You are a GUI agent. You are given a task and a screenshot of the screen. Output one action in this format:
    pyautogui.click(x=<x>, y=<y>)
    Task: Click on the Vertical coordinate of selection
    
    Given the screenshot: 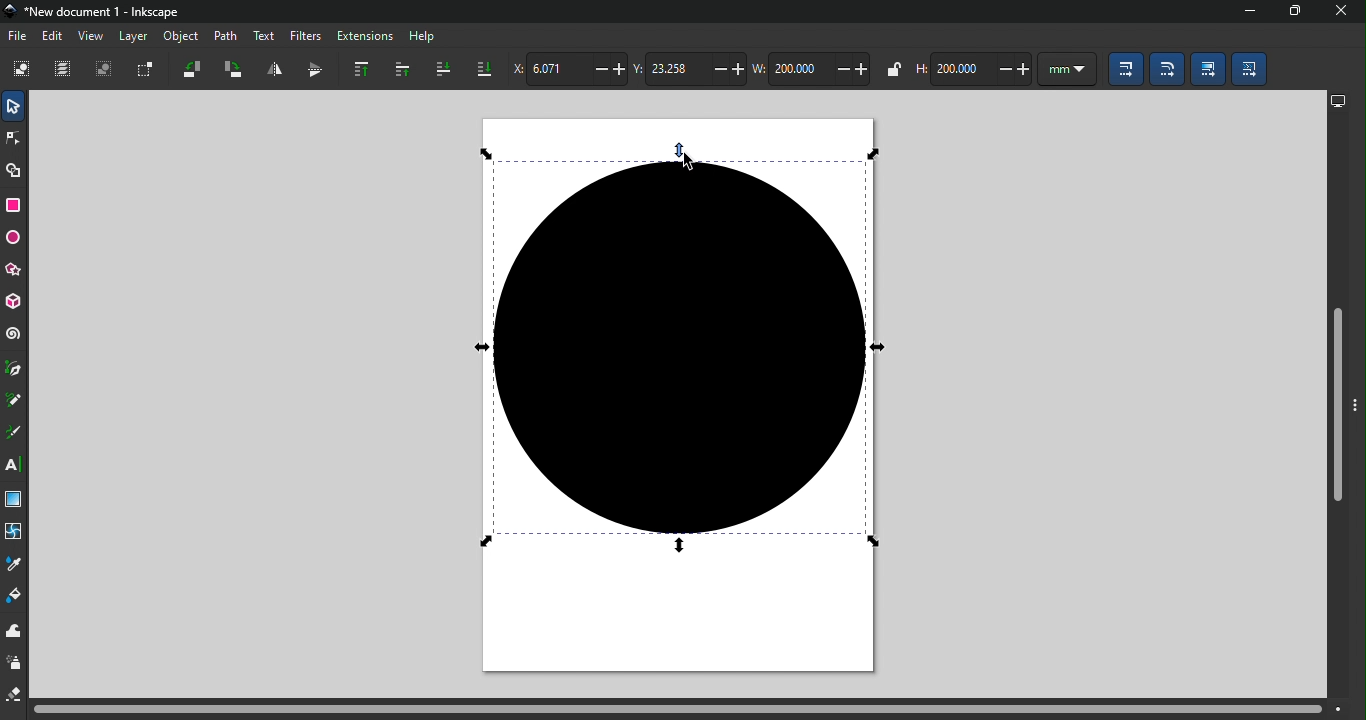 What is the action you would take?
    pyautogui.click(x=692, y=69)
    